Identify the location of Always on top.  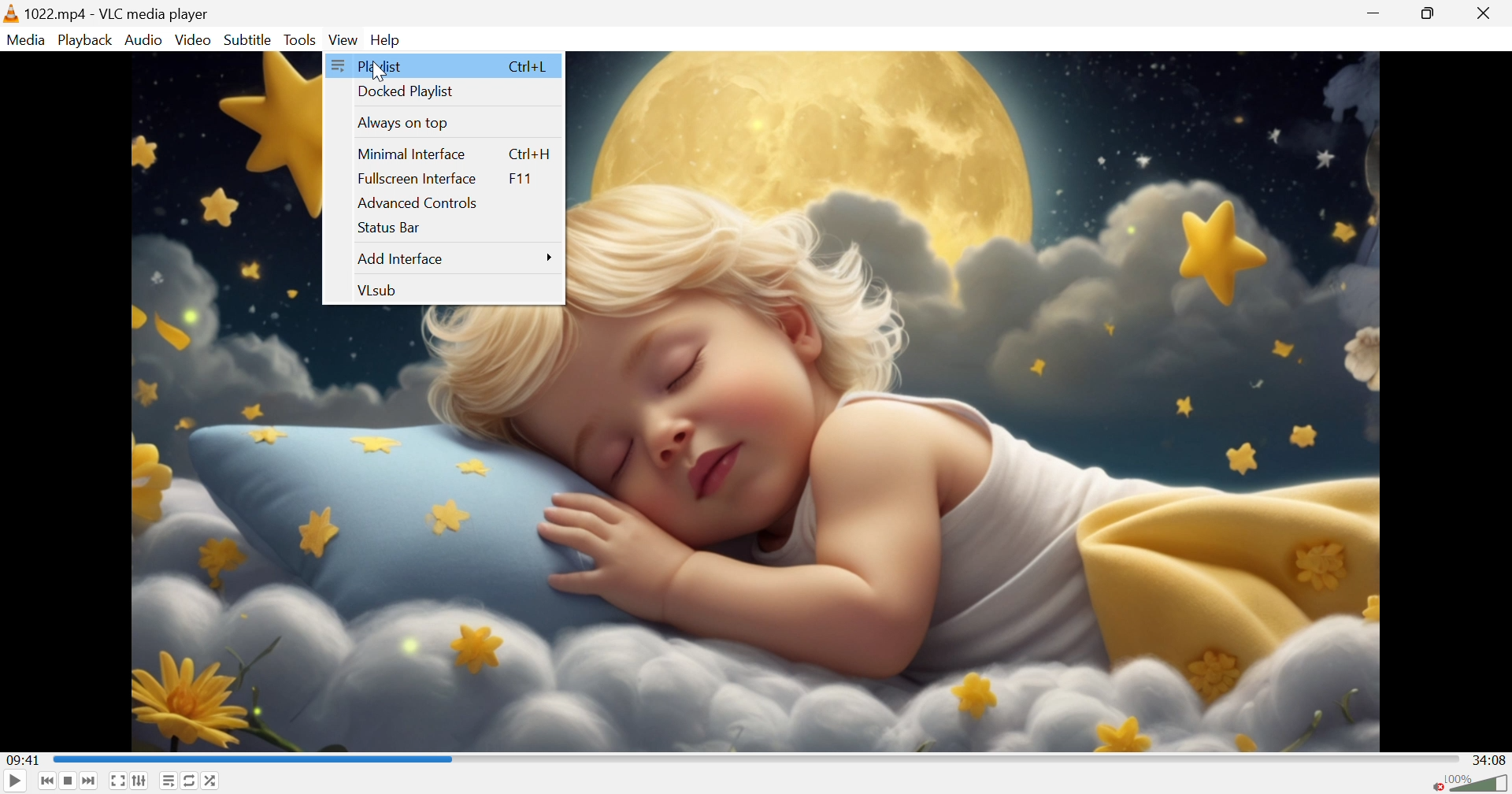
(404, 124).